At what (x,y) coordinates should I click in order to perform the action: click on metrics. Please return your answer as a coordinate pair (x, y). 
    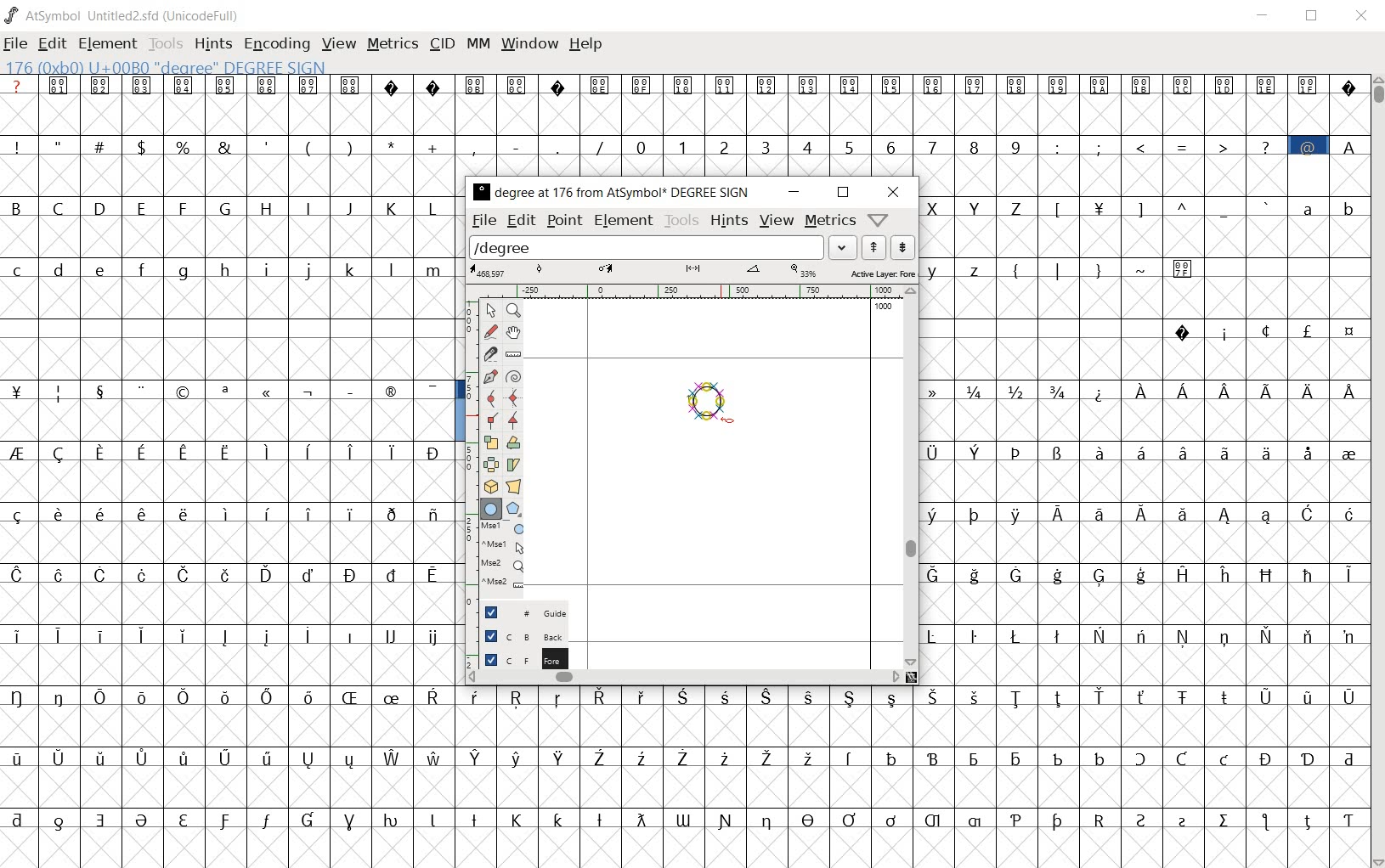
    Looking at the image, I should click on (393, 45).